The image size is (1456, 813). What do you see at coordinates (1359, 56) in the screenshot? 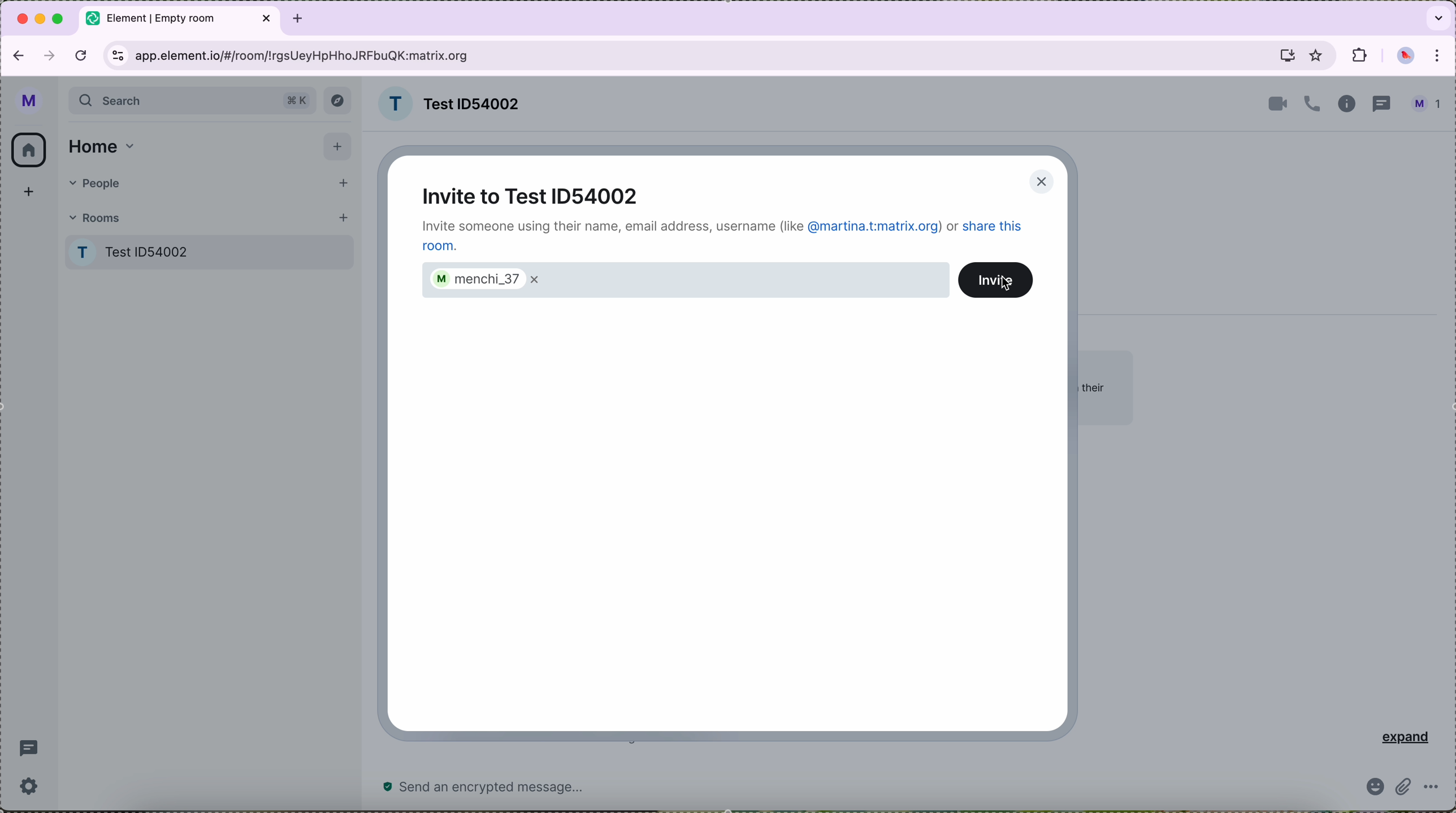
I see `extensions` at bounding box center [1359, 56].